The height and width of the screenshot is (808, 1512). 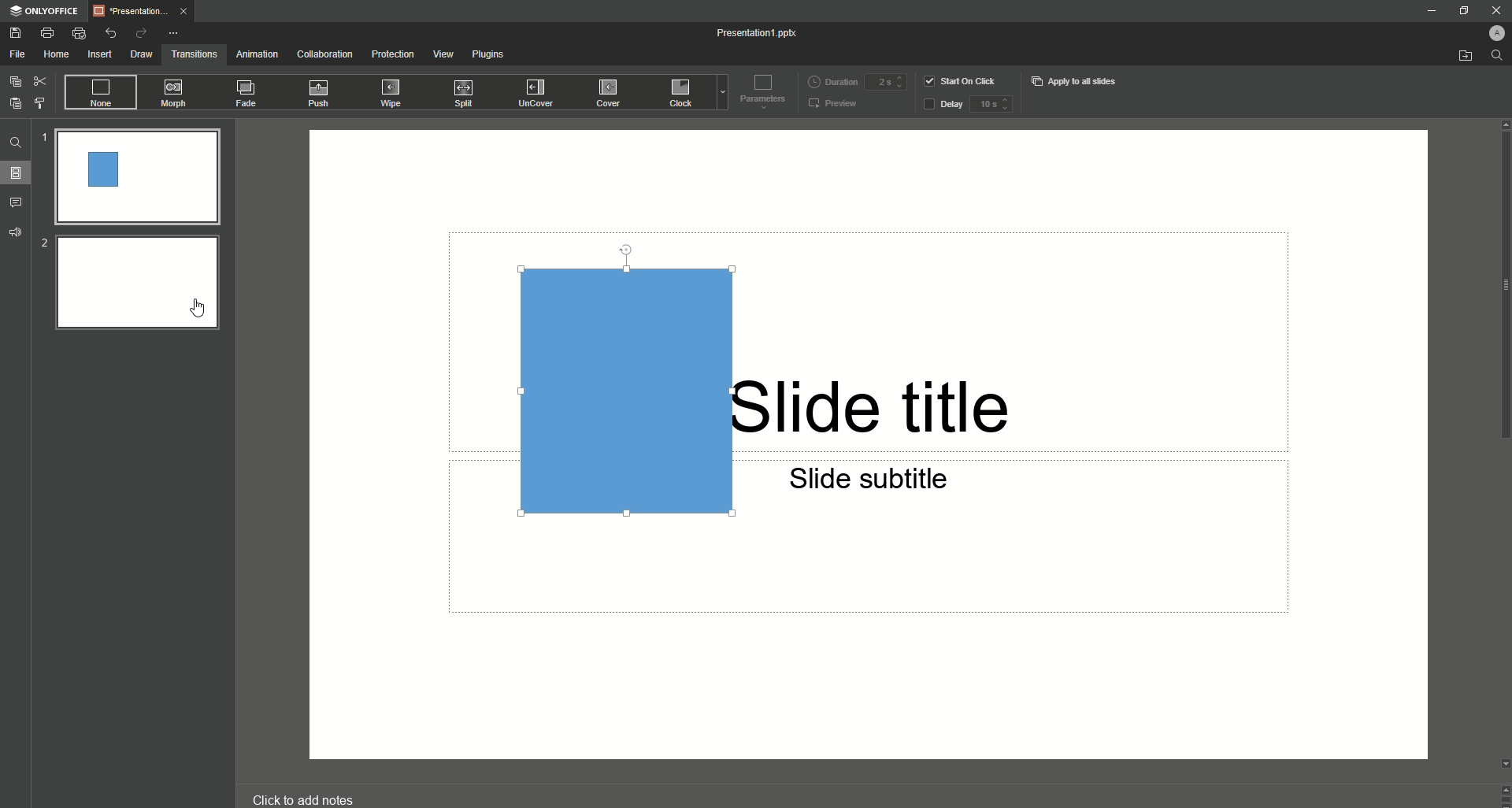 I want to click on Wipe, so click(x=387, y=93).